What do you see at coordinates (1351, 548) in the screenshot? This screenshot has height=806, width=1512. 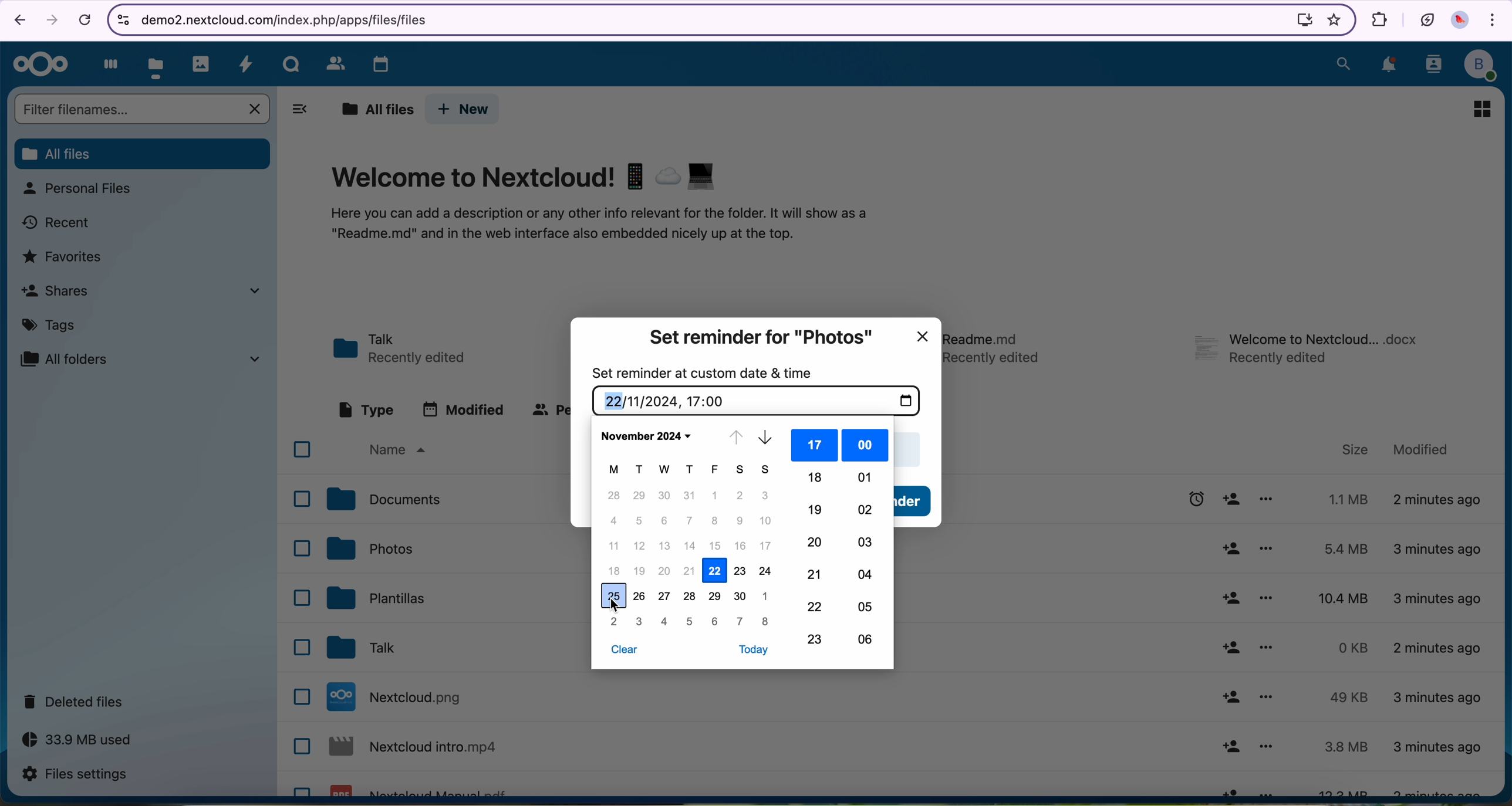 I see `5.4` at bounding box center [1351, 548].